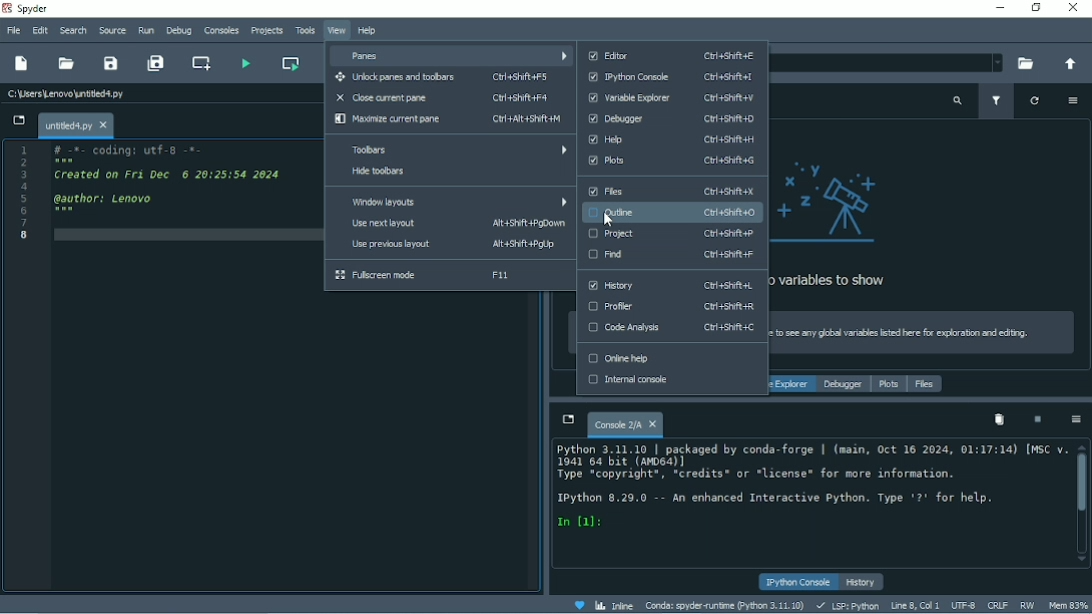 Image resolution: width=1092 pixels, height=614 pixels. I want to click on File, so click(12, 31).